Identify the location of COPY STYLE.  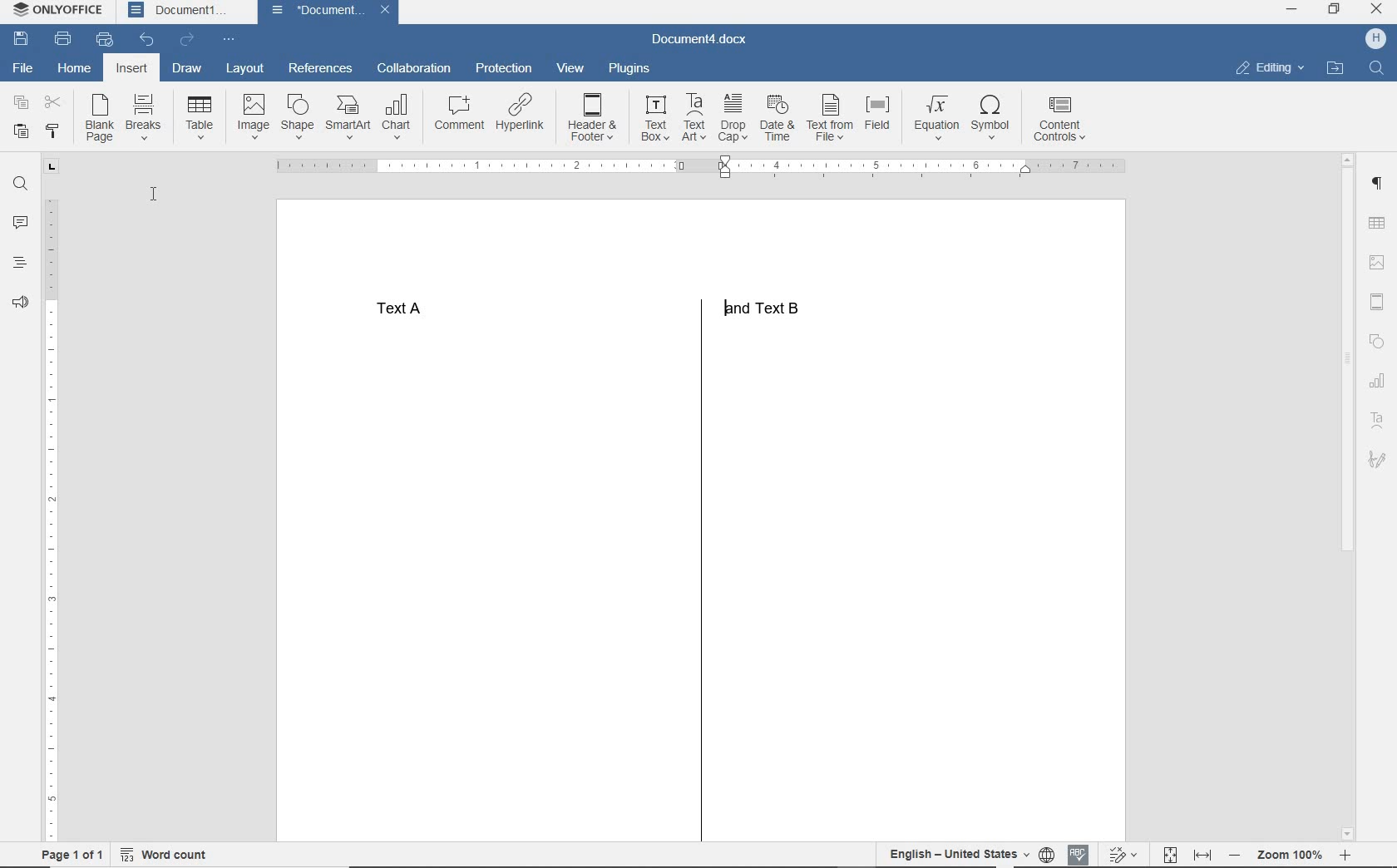
(57, 131).